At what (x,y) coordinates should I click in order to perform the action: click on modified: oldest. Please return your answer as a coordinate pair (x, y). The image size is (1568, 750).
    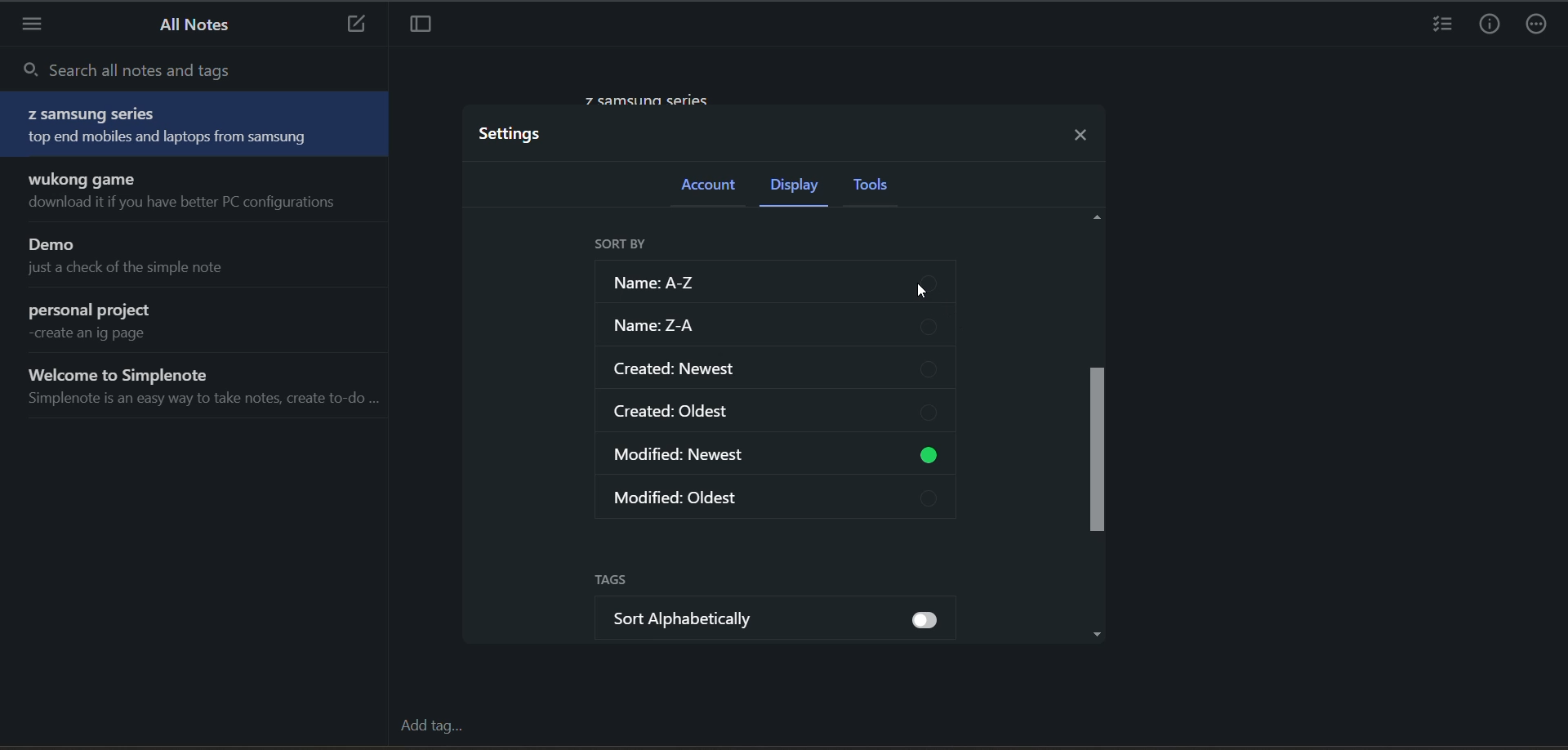
    Looking at the image, I should click on (783, 501).